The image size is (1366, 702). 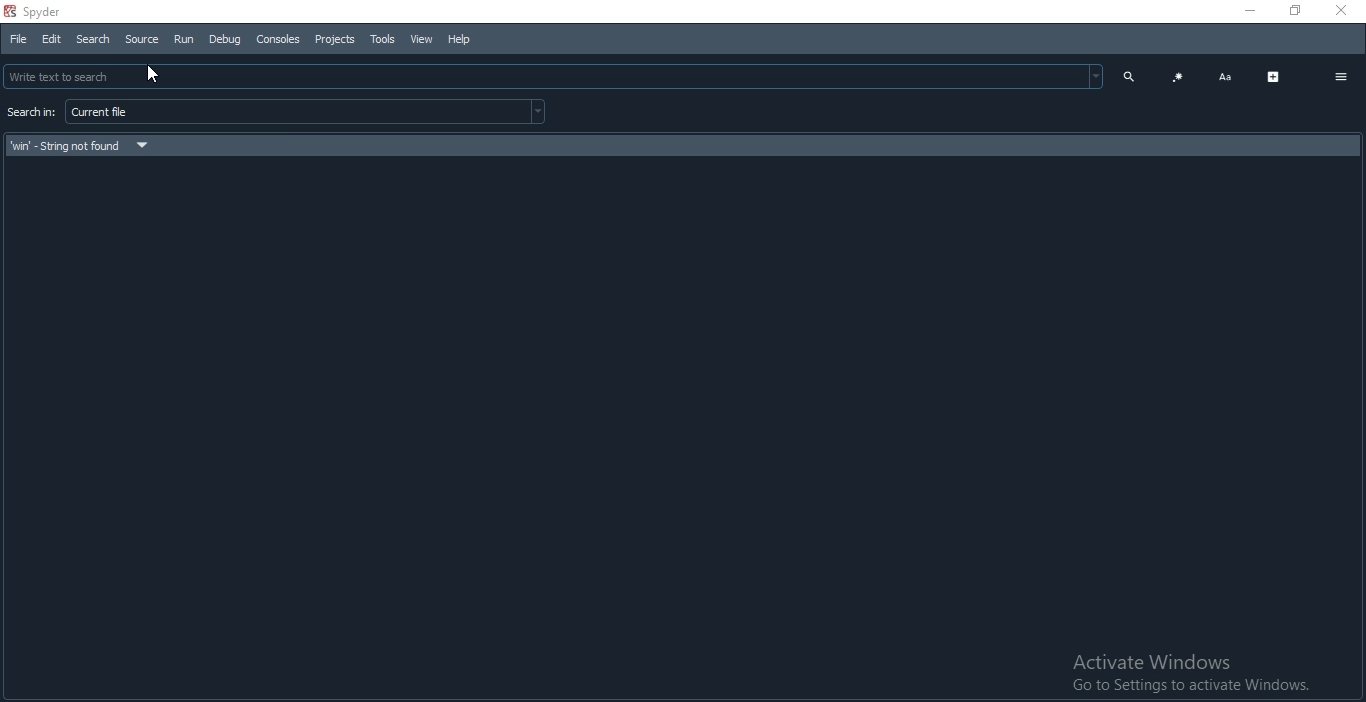 What do you see at coordinates (30, 114) in the screenshot?
I see `search for` at bounding box center [30, 114].